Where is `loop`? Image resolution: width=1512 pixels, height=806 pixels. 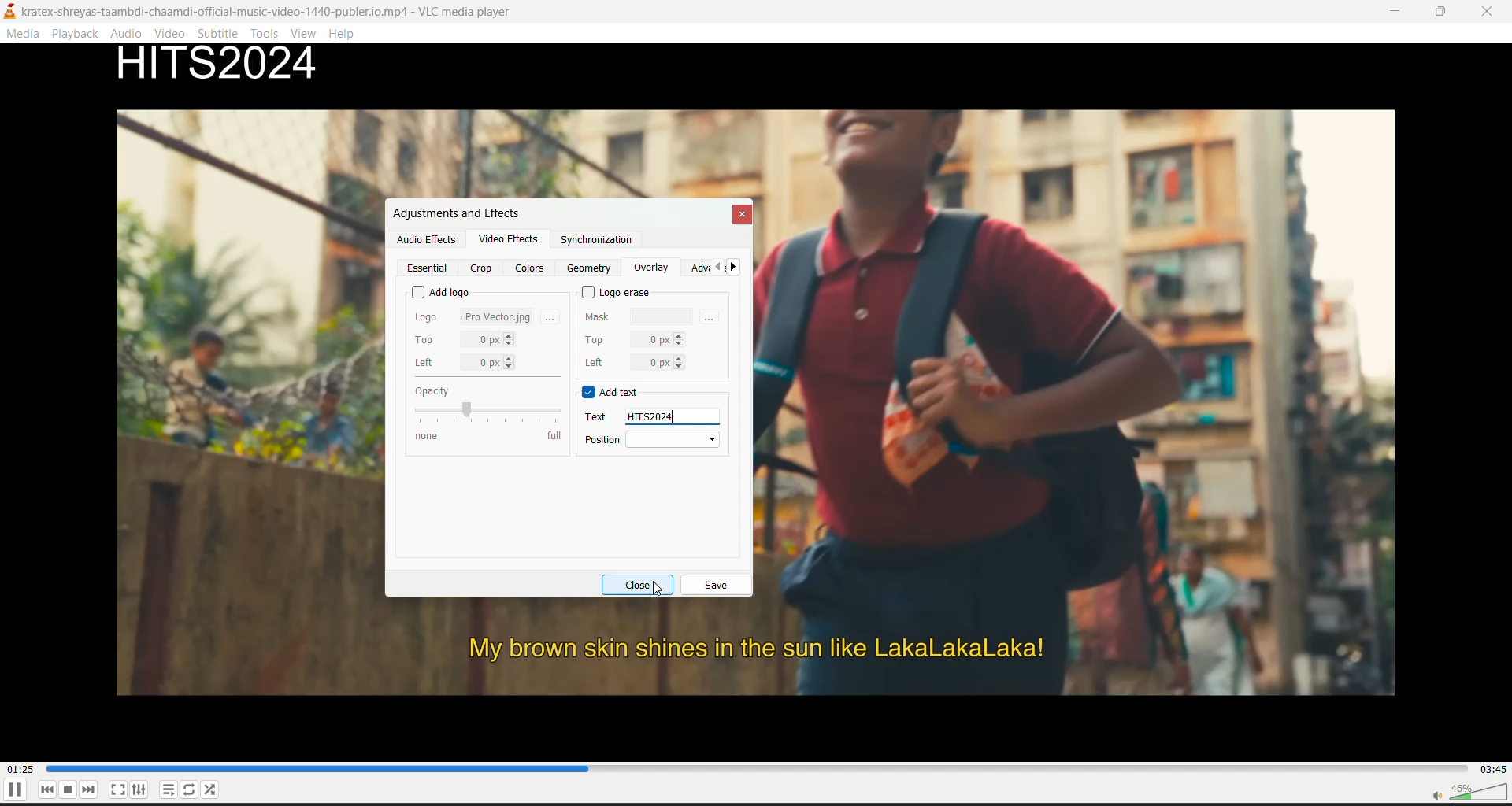 loop is located at coordinates (187, 790).